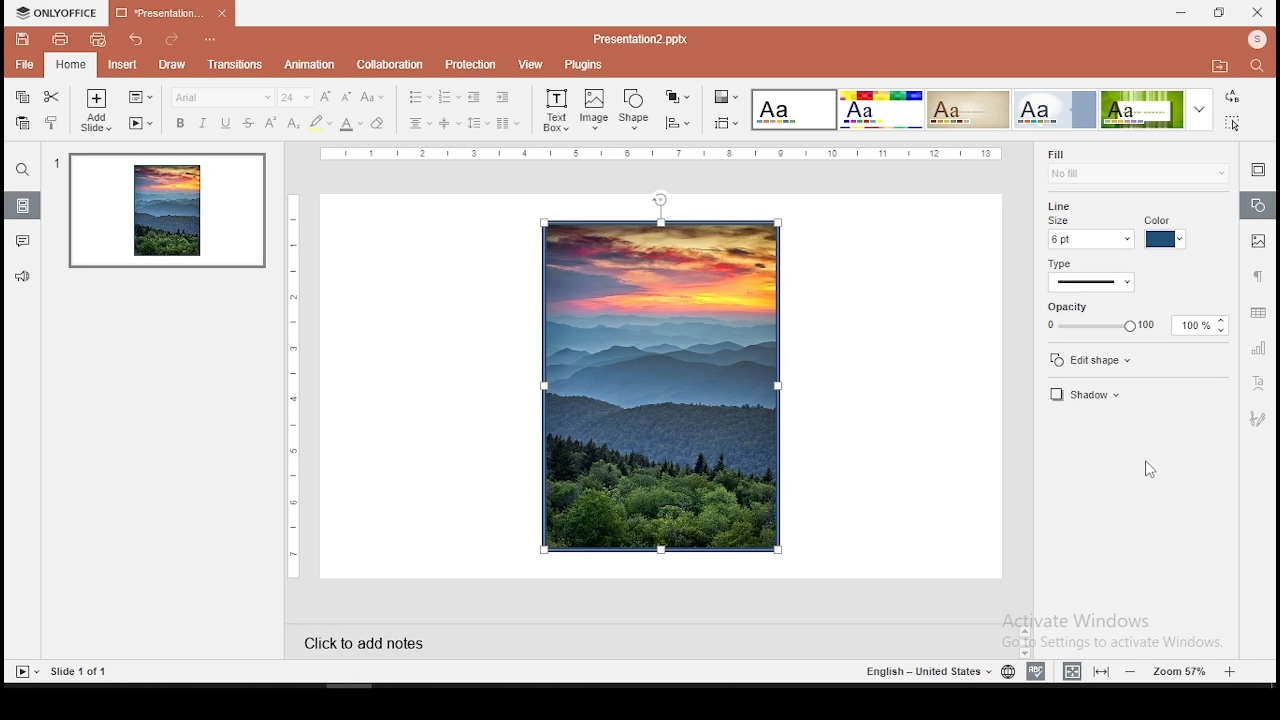 This screenshot has width=1280, height=720. Describe the element at coordinates (270, 122) in the screenshot. I see `superscript` at that location.